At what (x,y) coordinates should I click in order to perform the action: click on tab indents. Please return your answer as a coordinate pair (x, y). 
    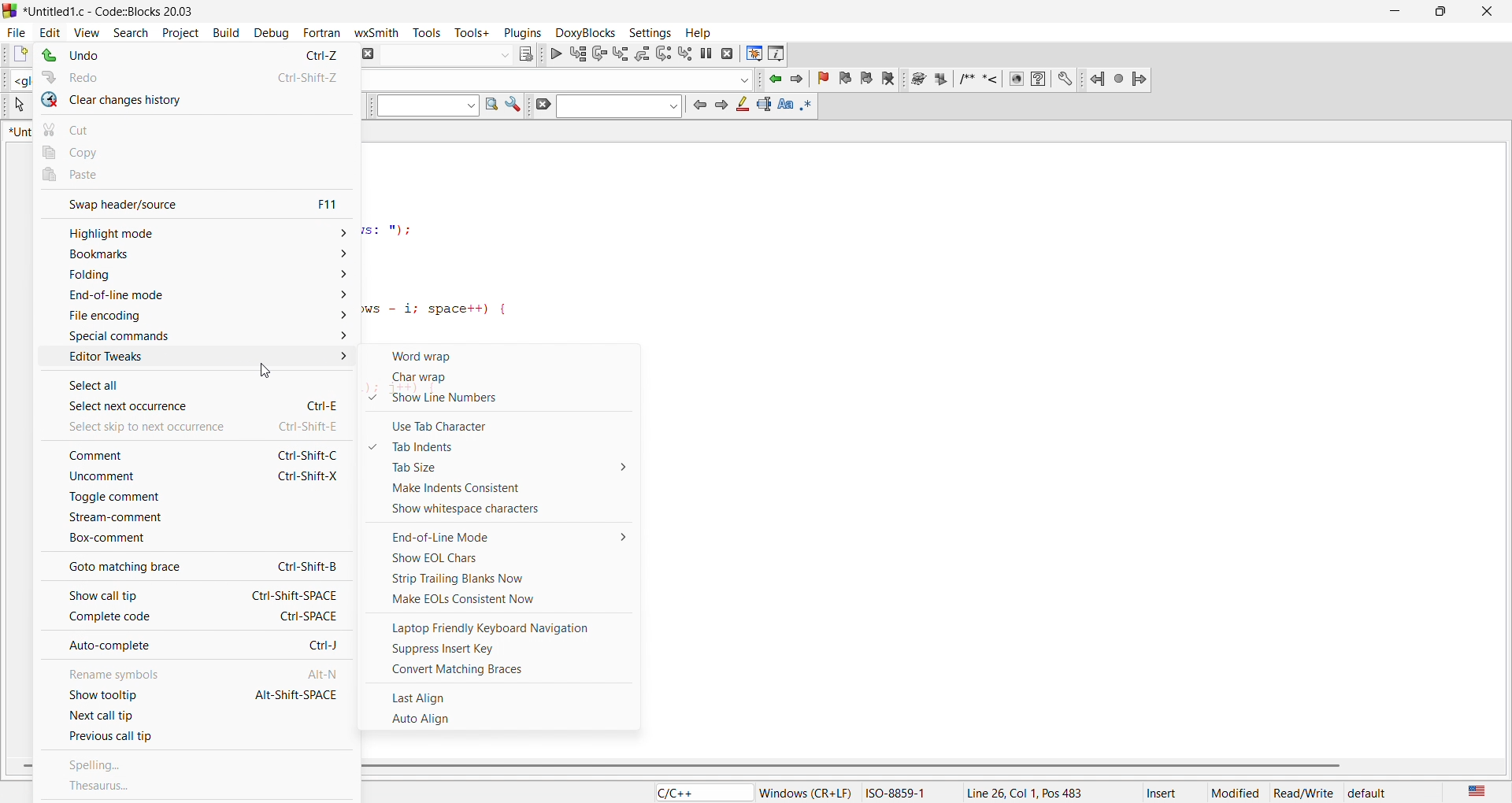
    Looking at the image, I should click on (507, 447).